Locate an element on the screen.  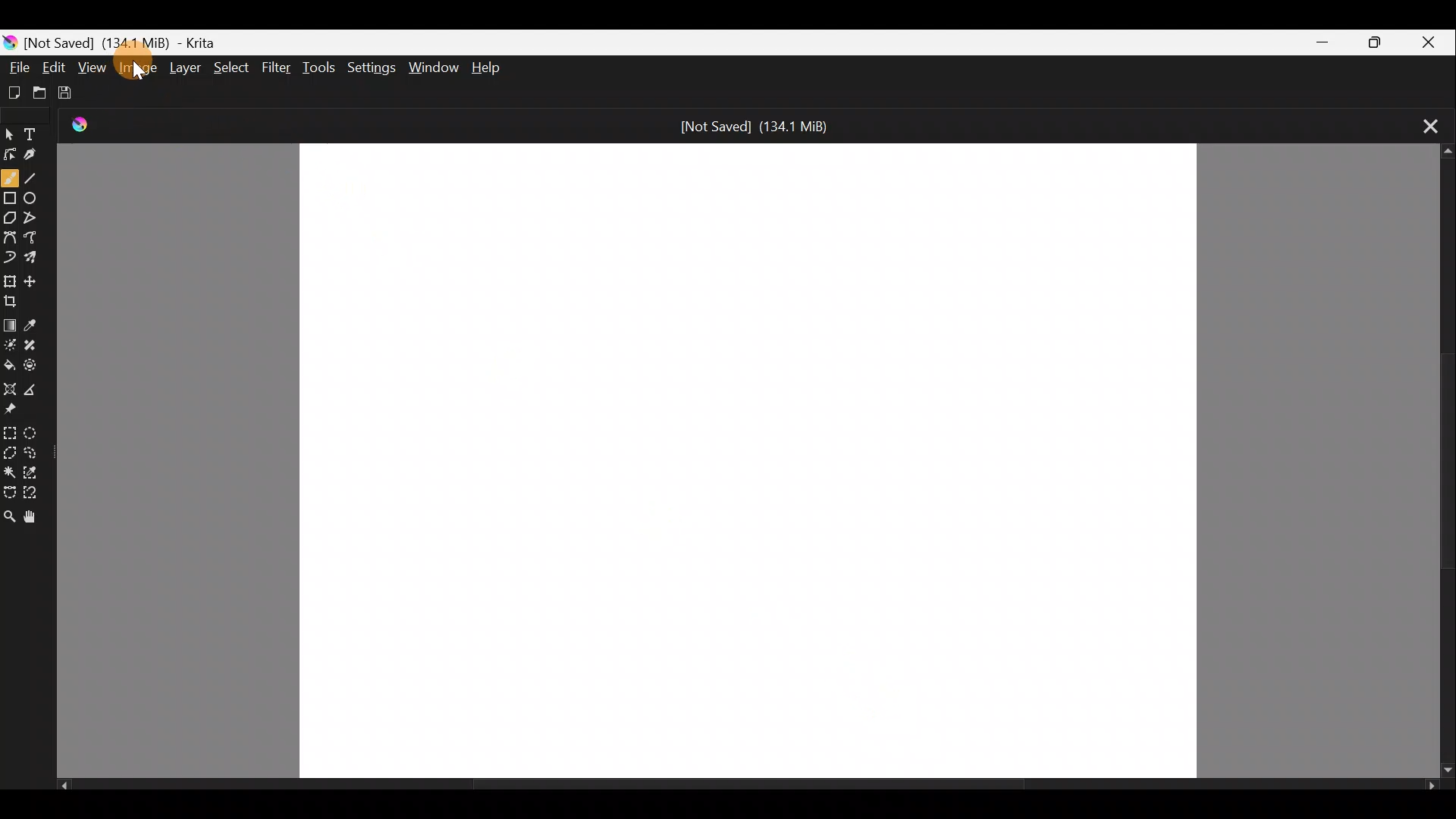
Ellipse tool is located at coordinates (35, 196).